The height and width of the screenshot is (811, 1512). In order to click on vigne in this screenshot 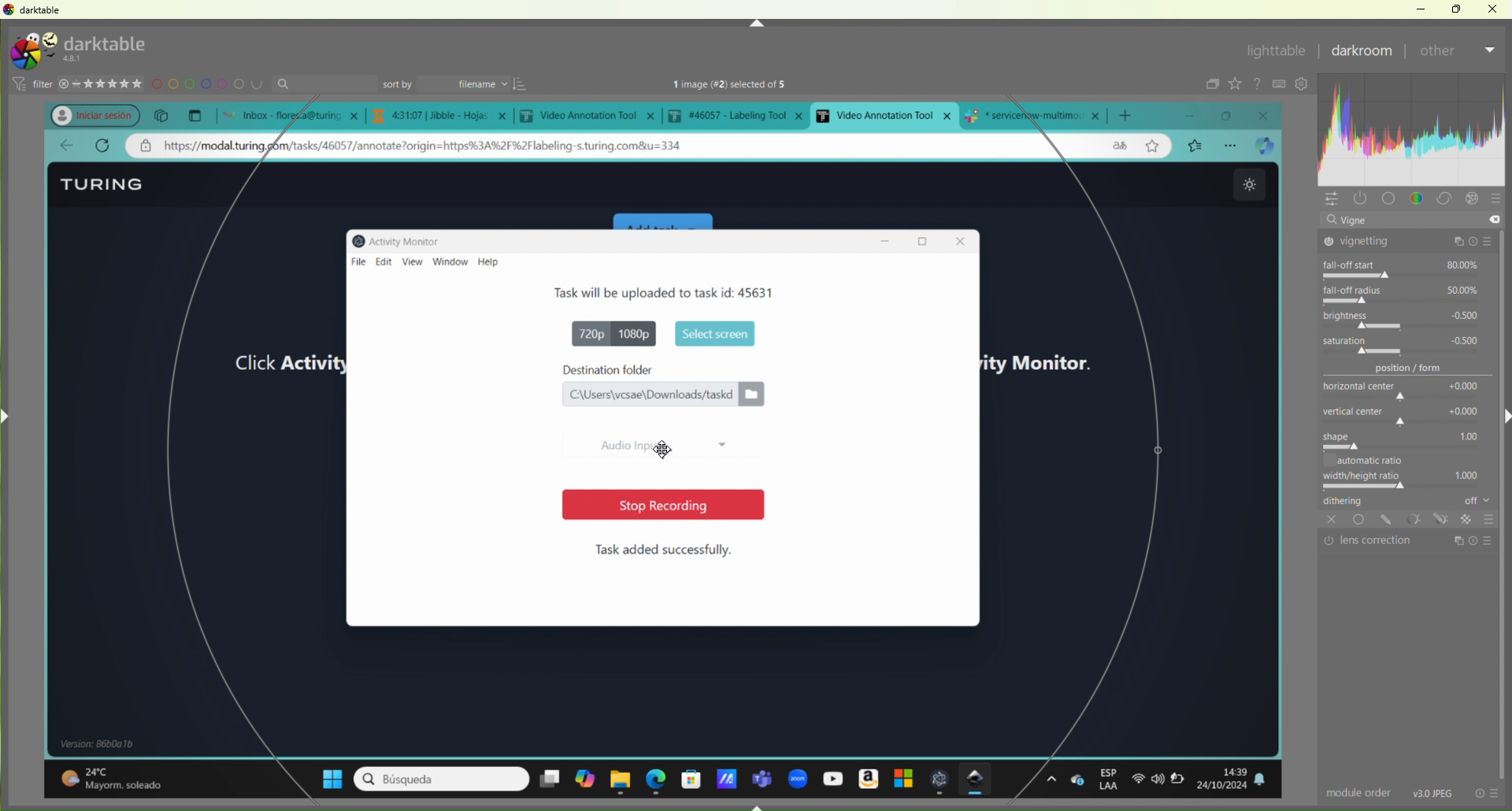, I will do `click(1409, 220)`.